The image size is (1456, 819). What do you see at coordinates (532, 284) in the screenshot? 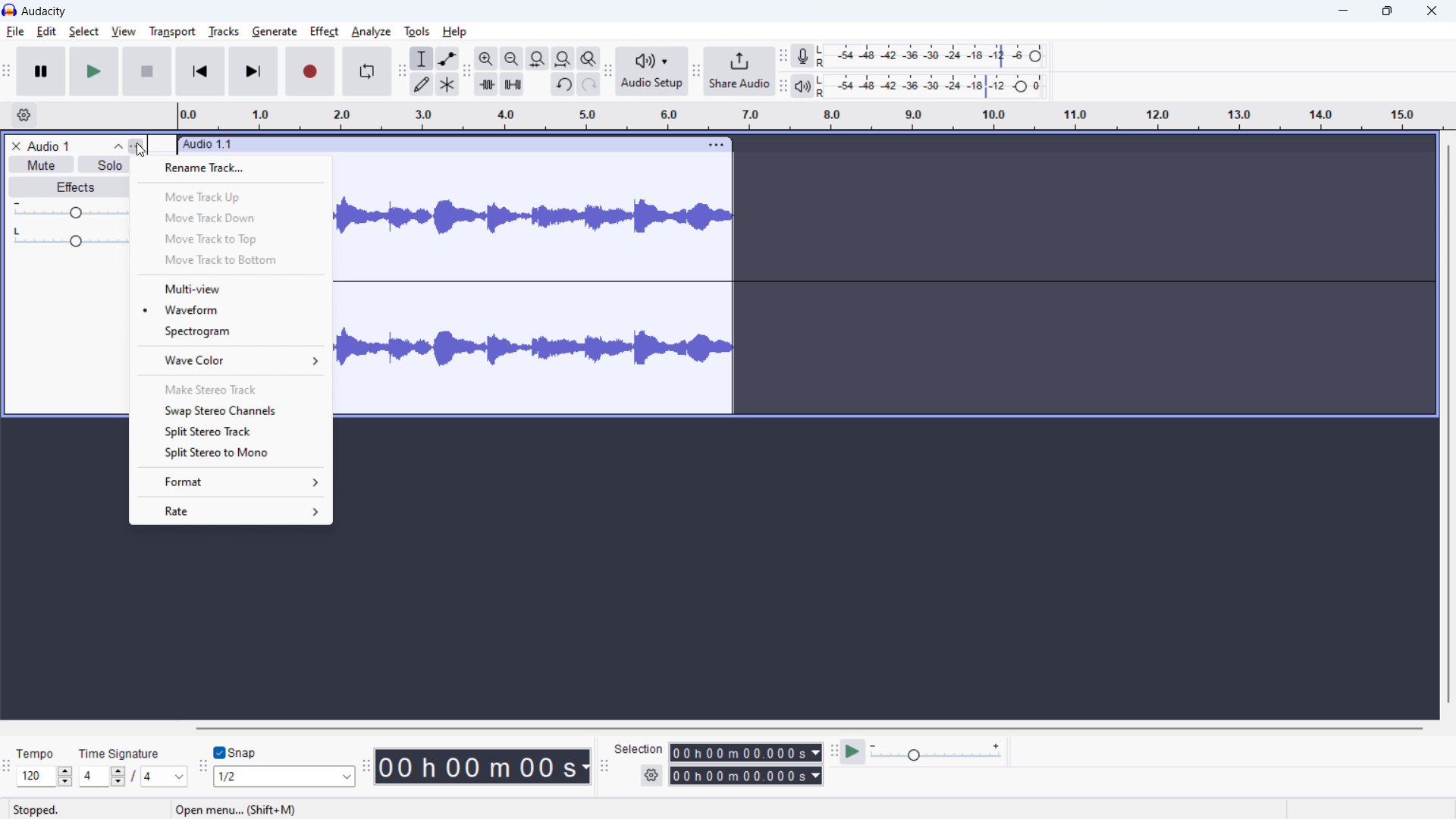
I see `track waveform` at bounding box center [532, 284].